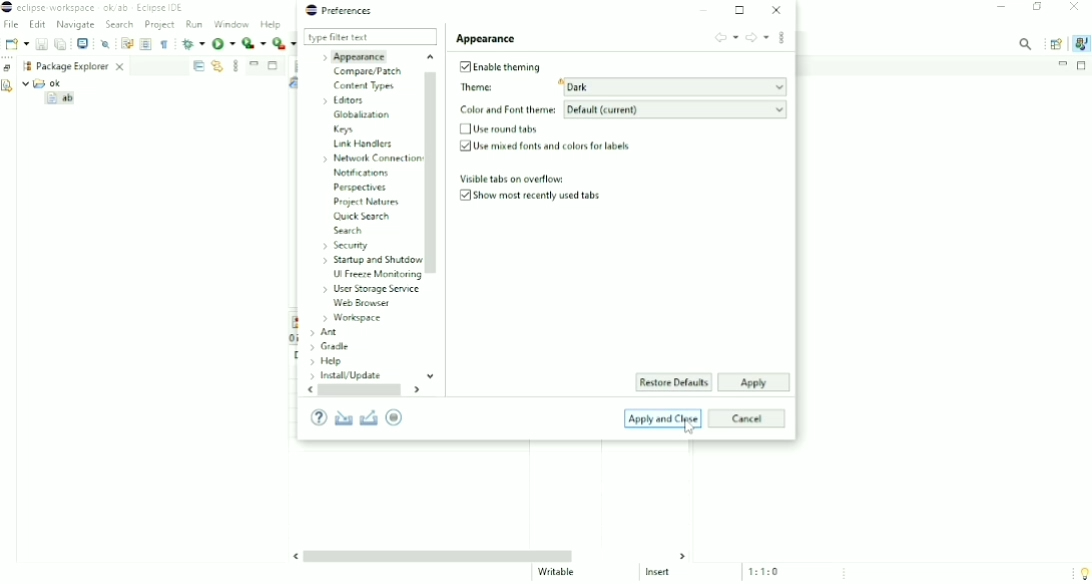  I want to click on Coverage, so click(254, 43).